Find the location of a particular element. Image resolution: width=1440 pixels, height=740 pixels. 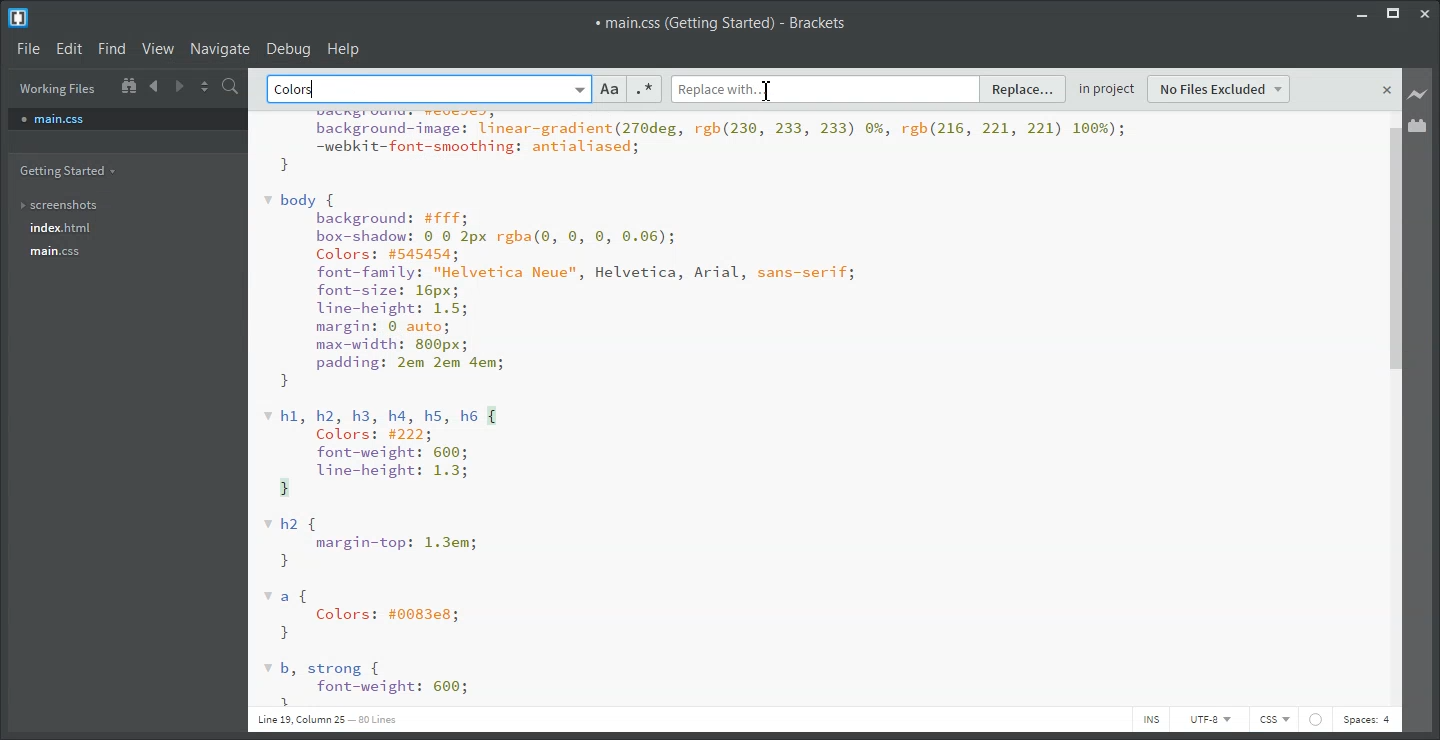

Edit is located at coordinates (68, 48).